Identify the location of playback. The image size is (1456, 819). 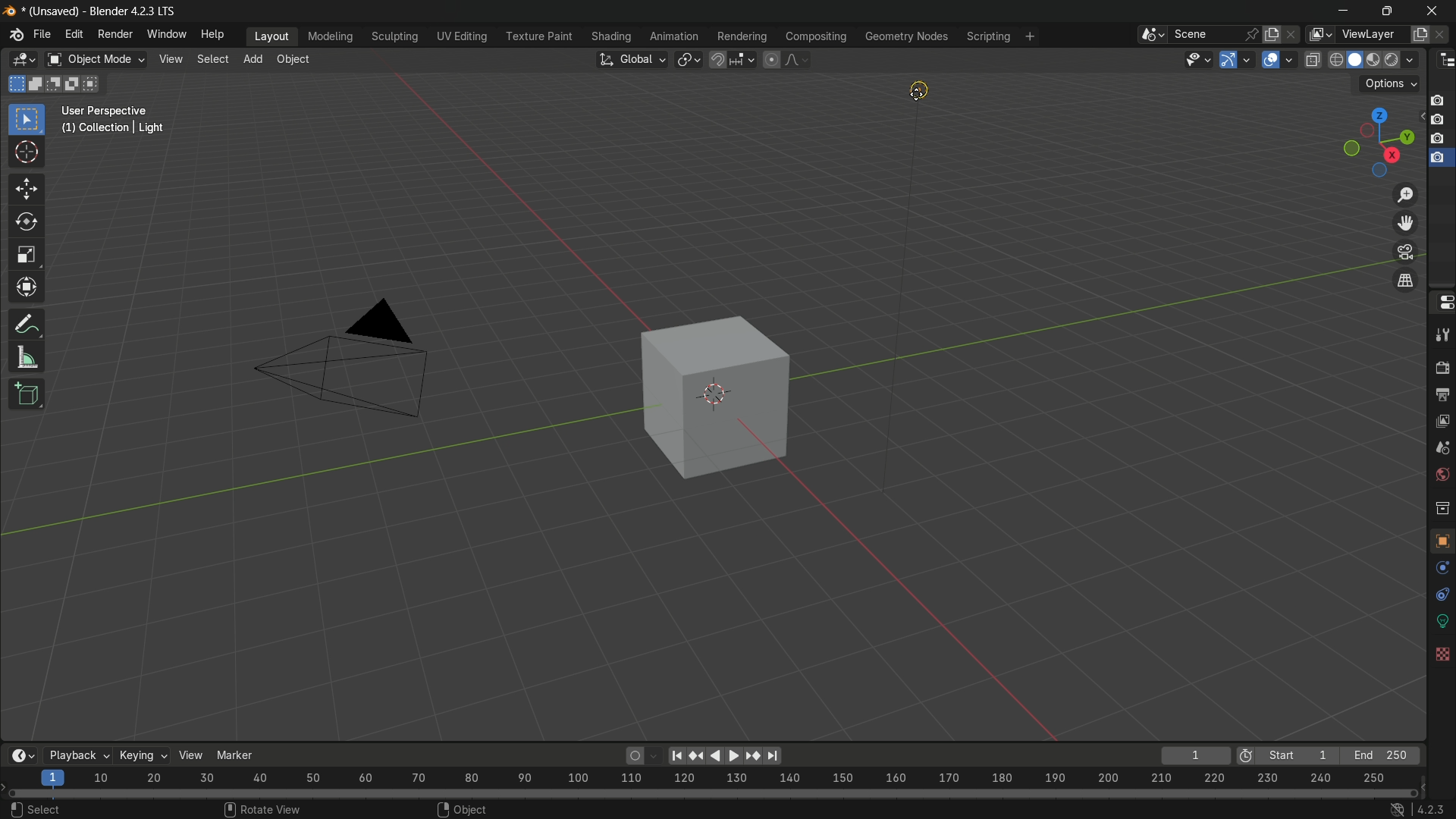
(76, 755).